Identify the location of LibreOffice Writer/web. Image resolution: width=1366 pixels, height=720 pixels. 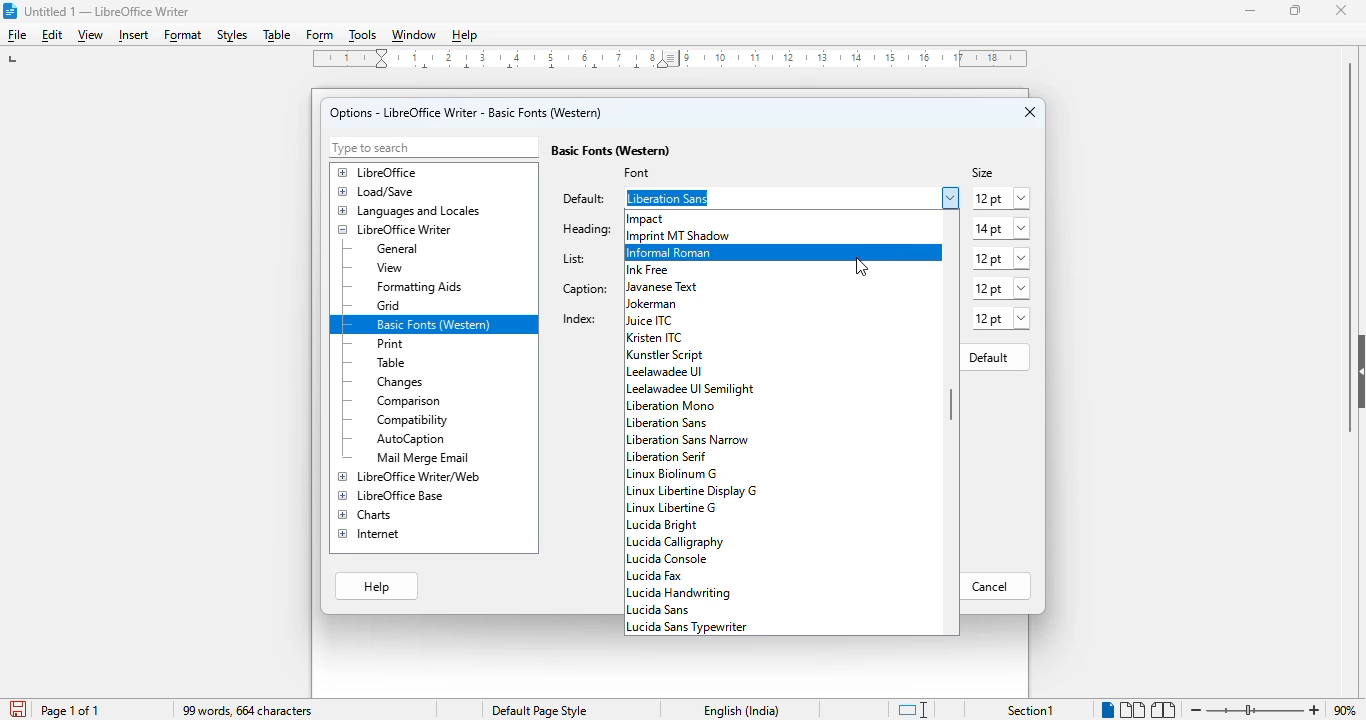
(411, 476).